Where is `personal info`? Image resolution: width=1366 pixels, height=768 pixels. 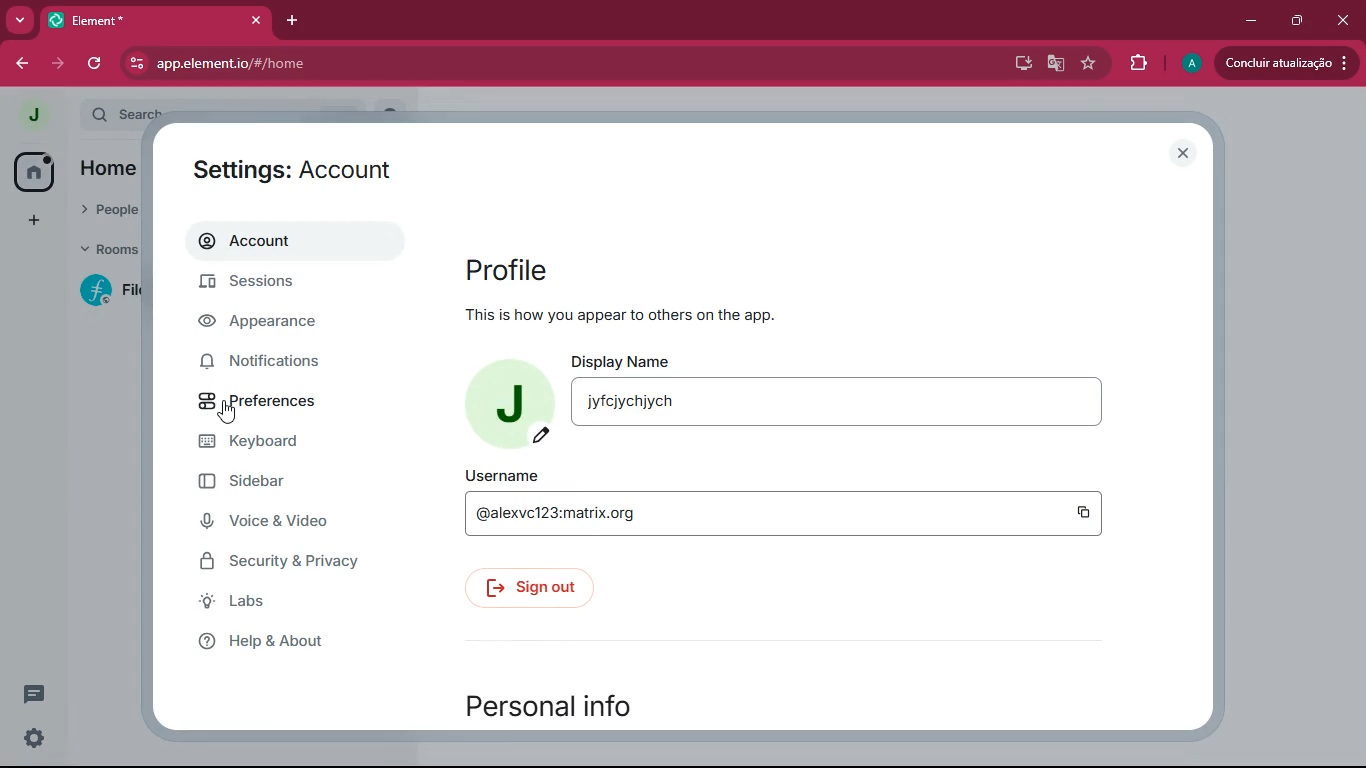 personal info is located at coordinates (576, 705).